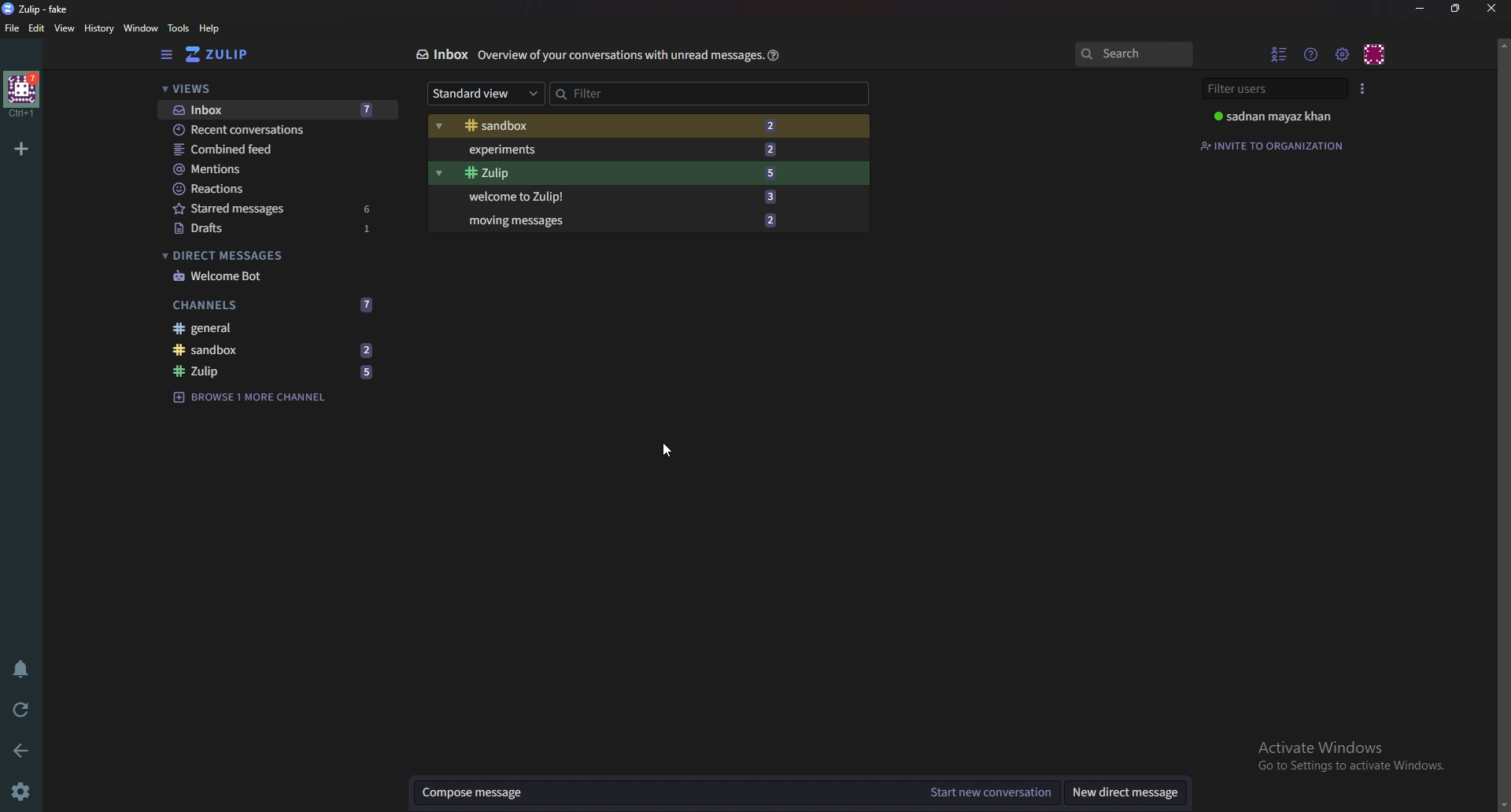 The image size is (1511, 812). I want to click on Edit, so click(39, 28).